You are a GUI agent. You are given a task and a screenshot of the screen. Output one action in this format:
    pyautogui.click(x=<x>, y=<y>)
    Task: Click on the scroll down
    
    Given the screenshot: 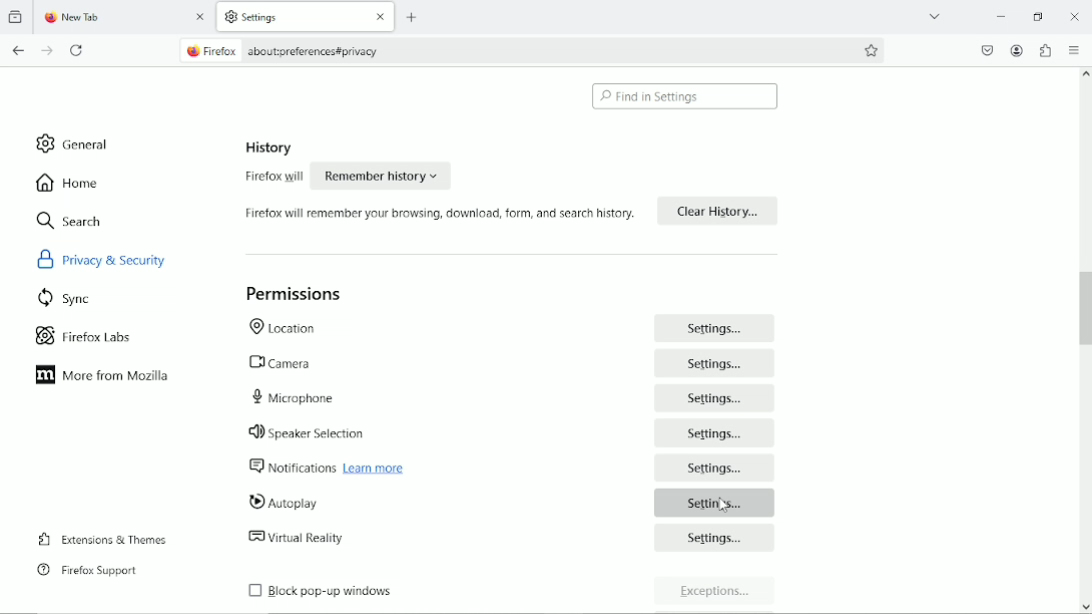 What is the action you would take?
    pyautogui.click(x=1081, y=606)
    